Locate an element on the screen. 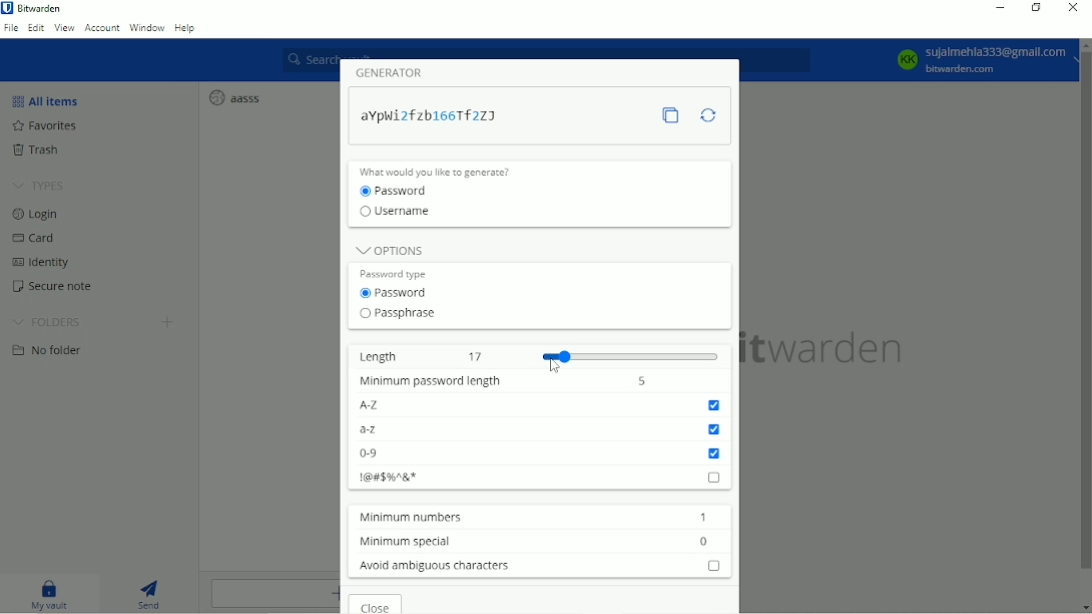 This screenshot has height=614, width=1092. Cursor is located at coordinates (555, 365).